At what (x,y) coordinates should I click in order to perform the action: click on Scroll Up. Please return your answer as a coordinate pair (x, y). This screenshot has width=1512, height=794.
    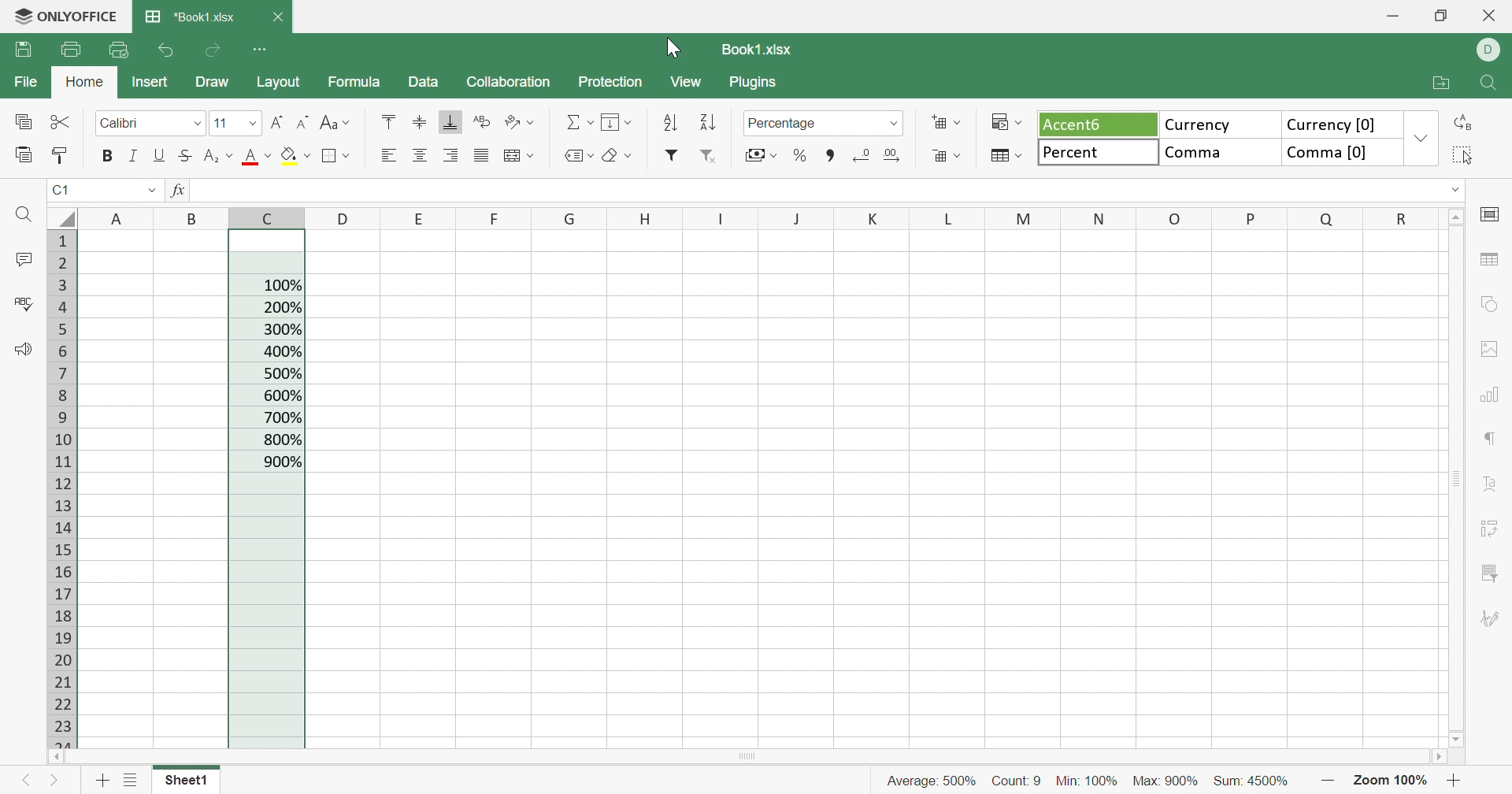
    Looking at the image, I should click on (1457, 217).